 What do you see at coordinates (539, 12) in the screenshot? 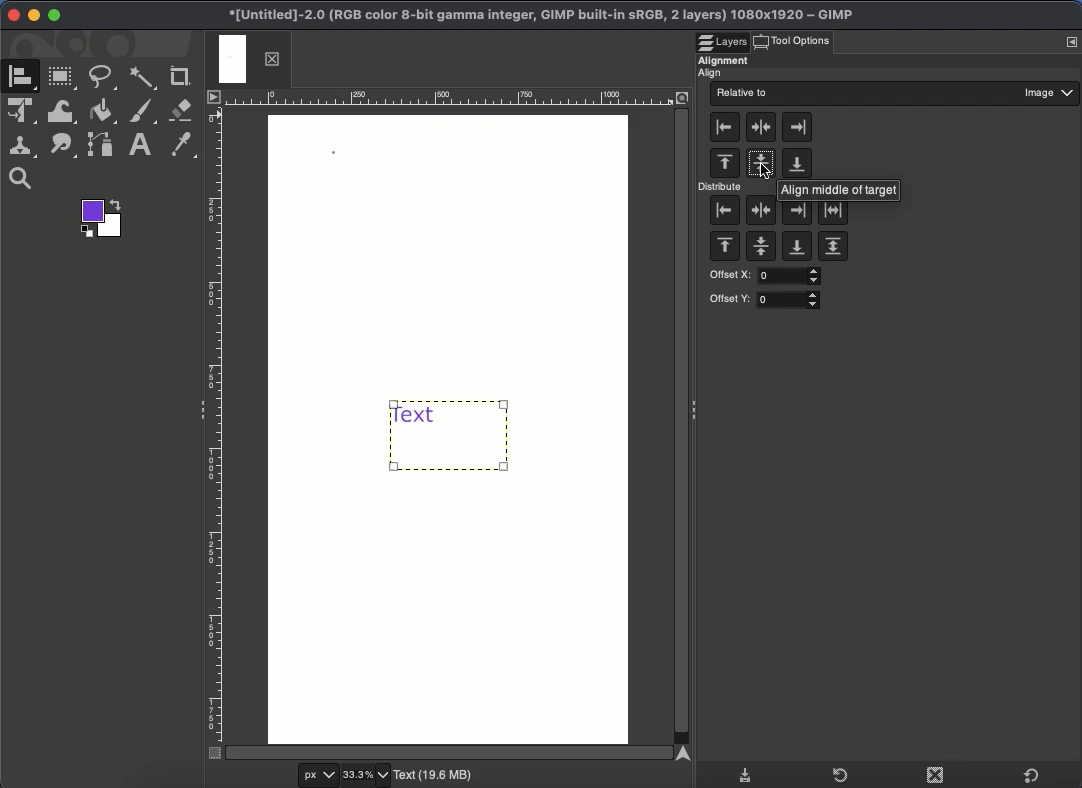
I see `Project name` at bounding box center [539, 12].